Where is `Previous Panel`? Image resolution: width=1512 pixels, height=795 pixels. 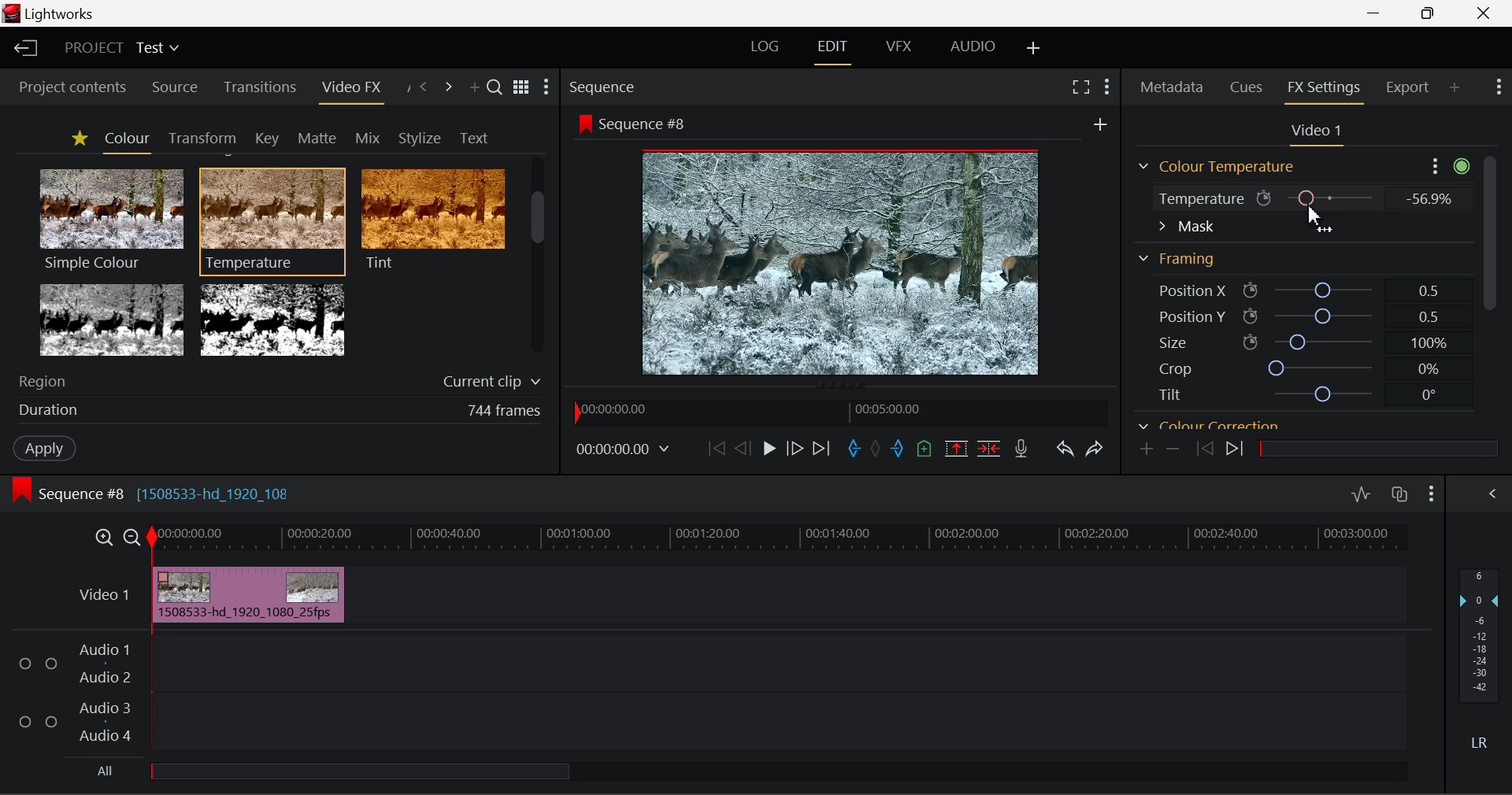 Previous Panel is located at coordinates (425, 89).